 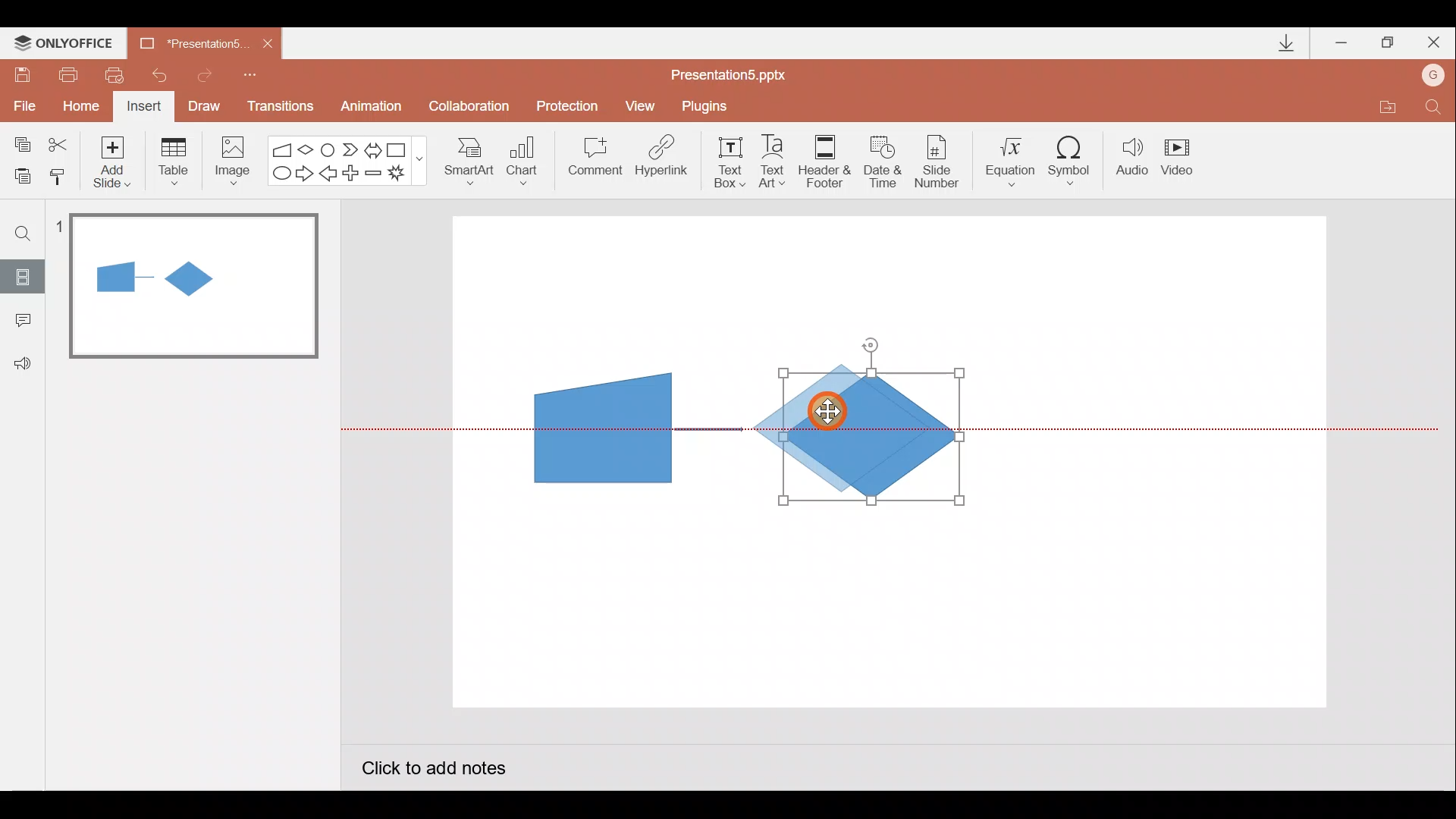 What do you see at coordinates (19, 322) in the screenshot?
I see `Comments` at bounding box center [19, 322].